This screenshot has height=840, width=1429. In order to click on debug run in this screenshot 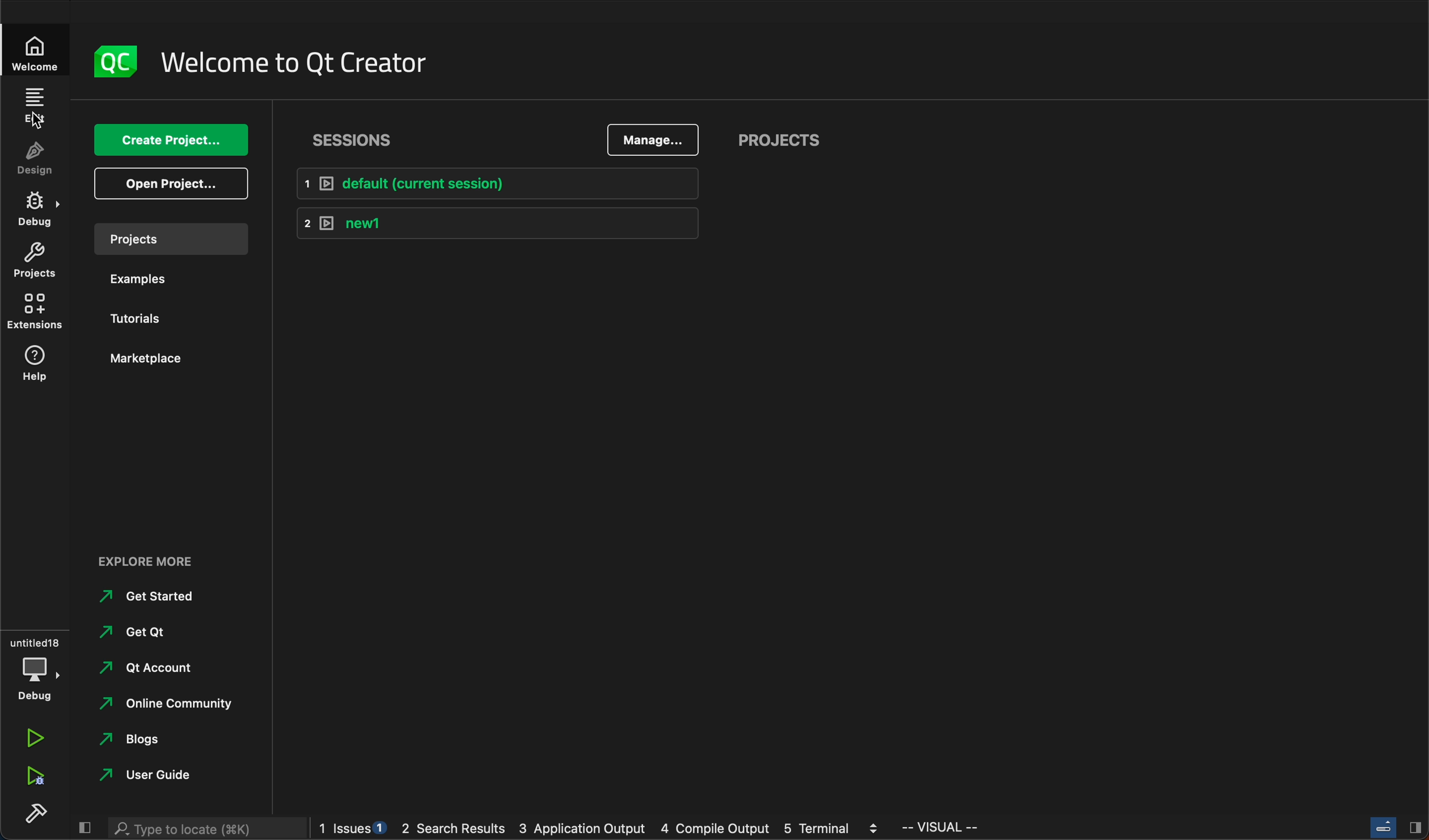, I will do `click(32, 778)`.